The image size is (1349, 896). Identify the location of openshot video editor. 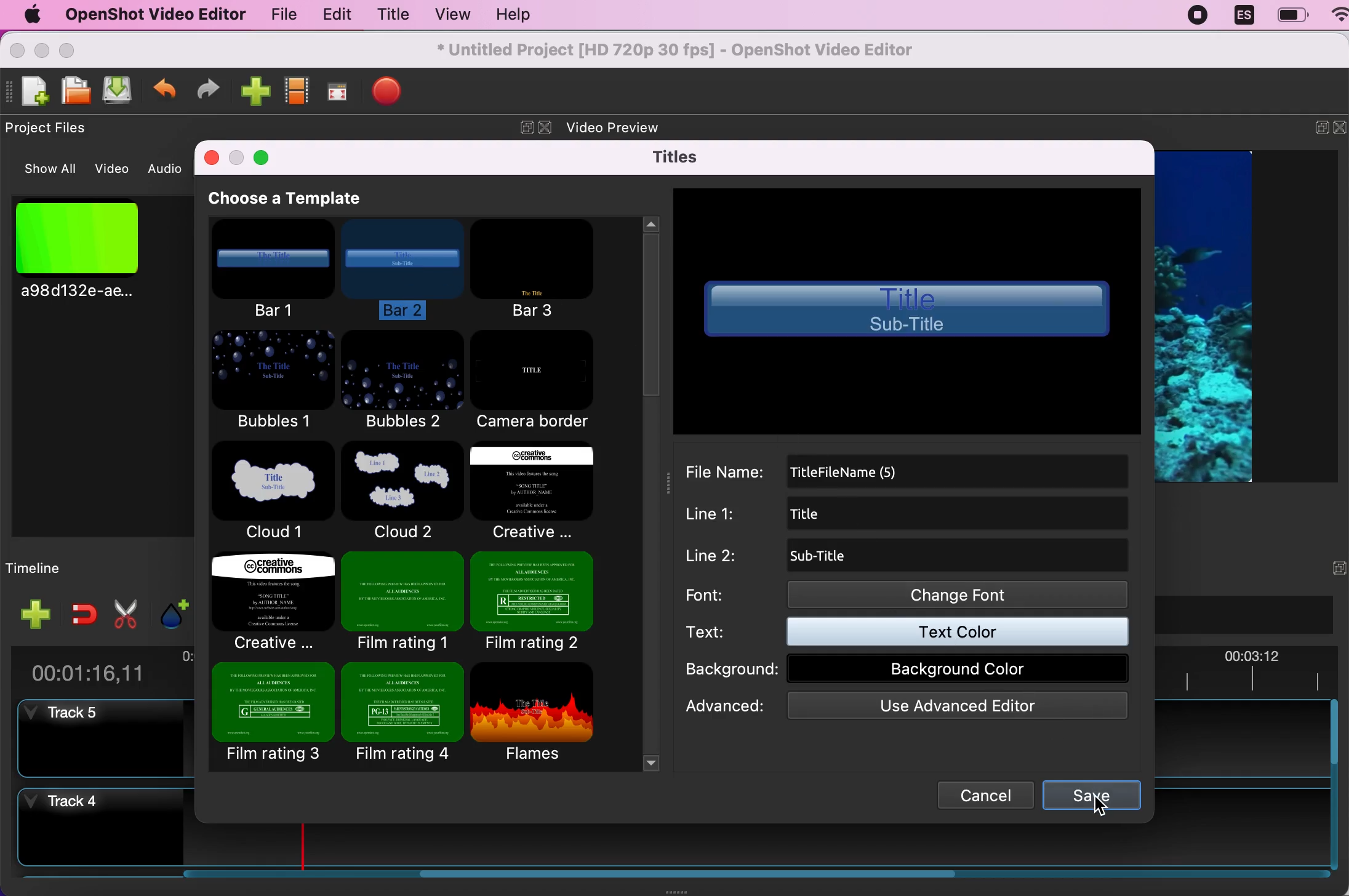
(154, 15).